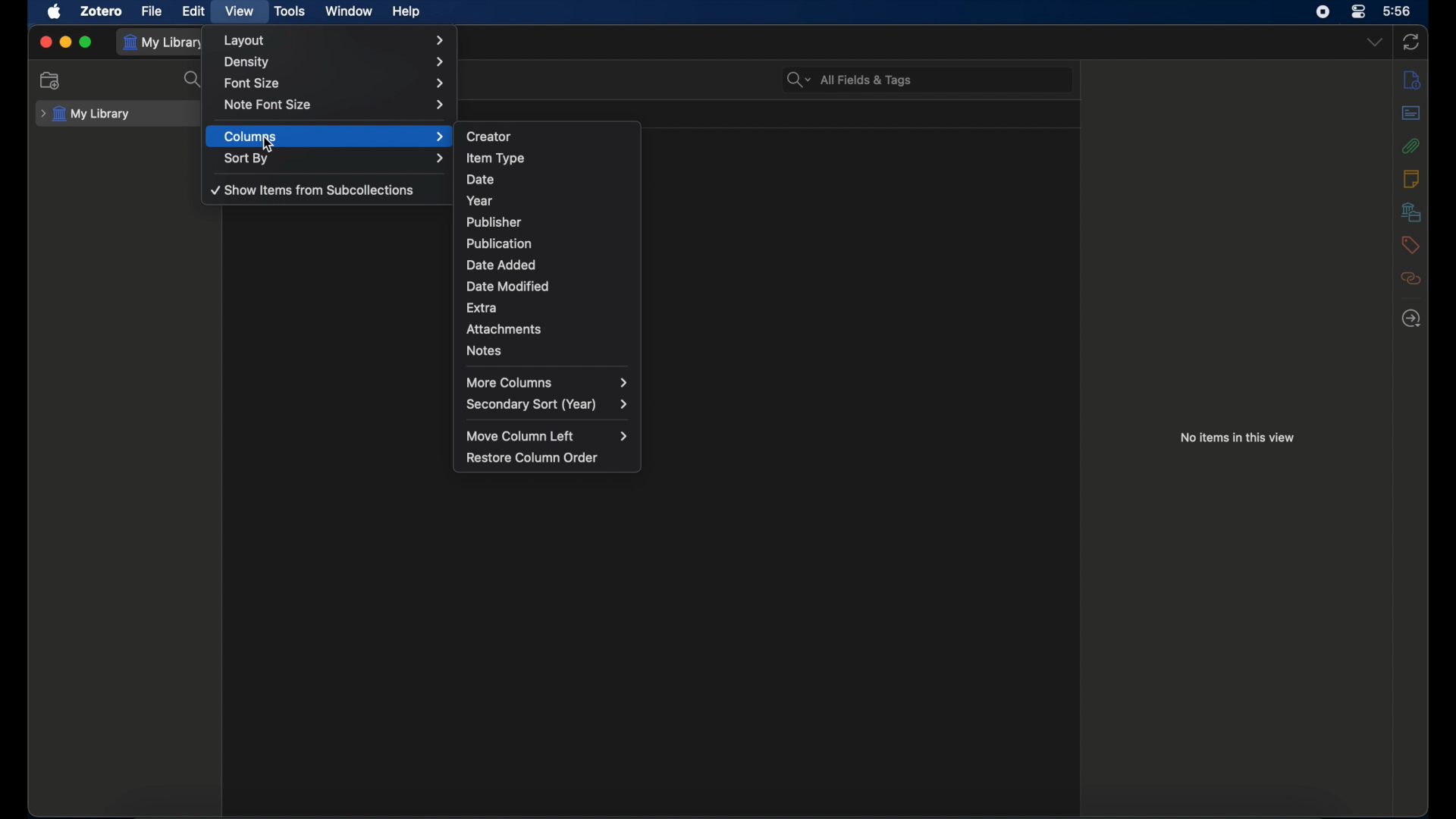 The image size is (1456, 819). I want to click on date, so click(552, 177).